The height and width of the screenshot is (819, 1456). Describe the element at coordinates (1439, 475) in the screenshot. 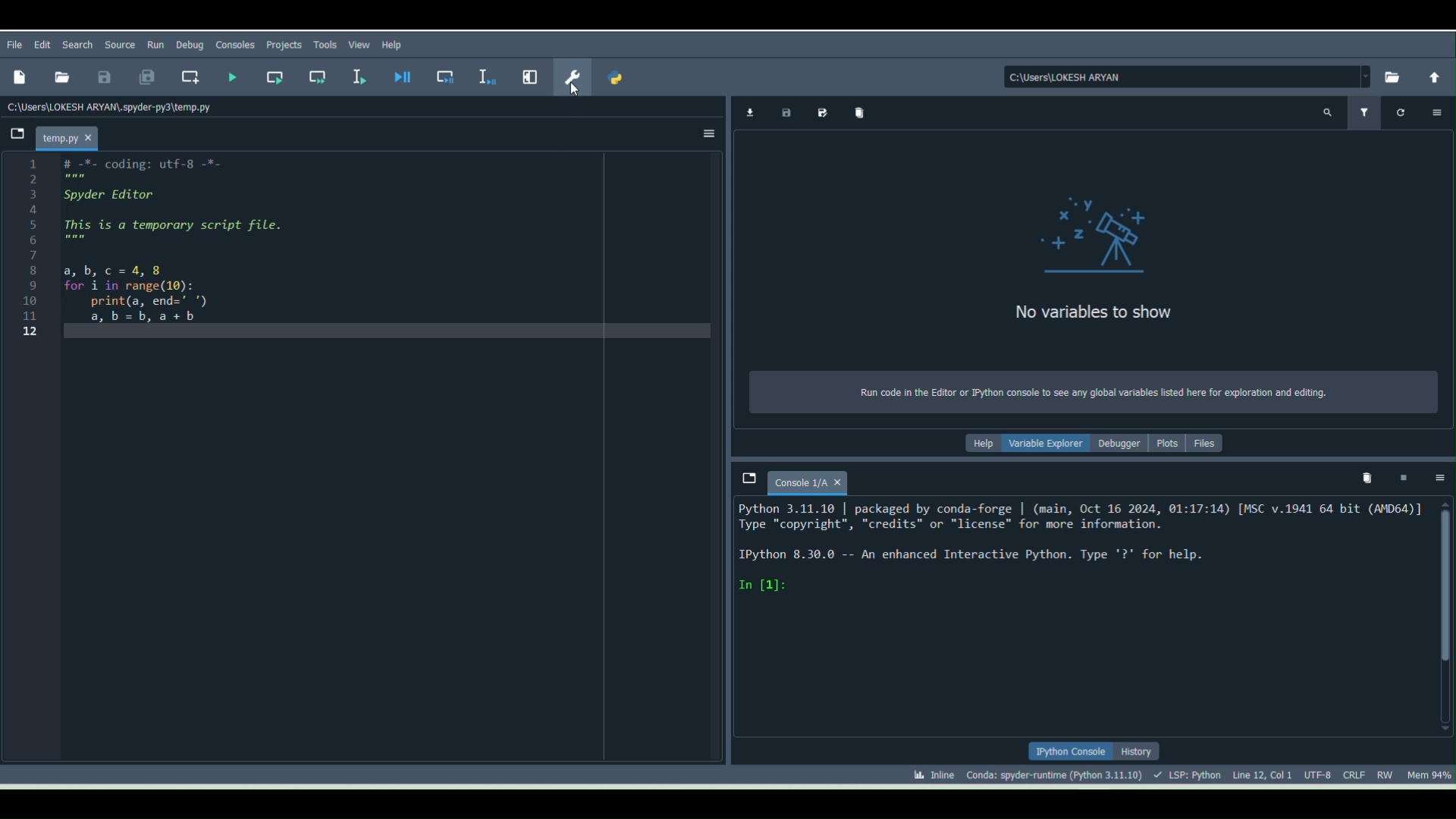

I see `Options` at that location.